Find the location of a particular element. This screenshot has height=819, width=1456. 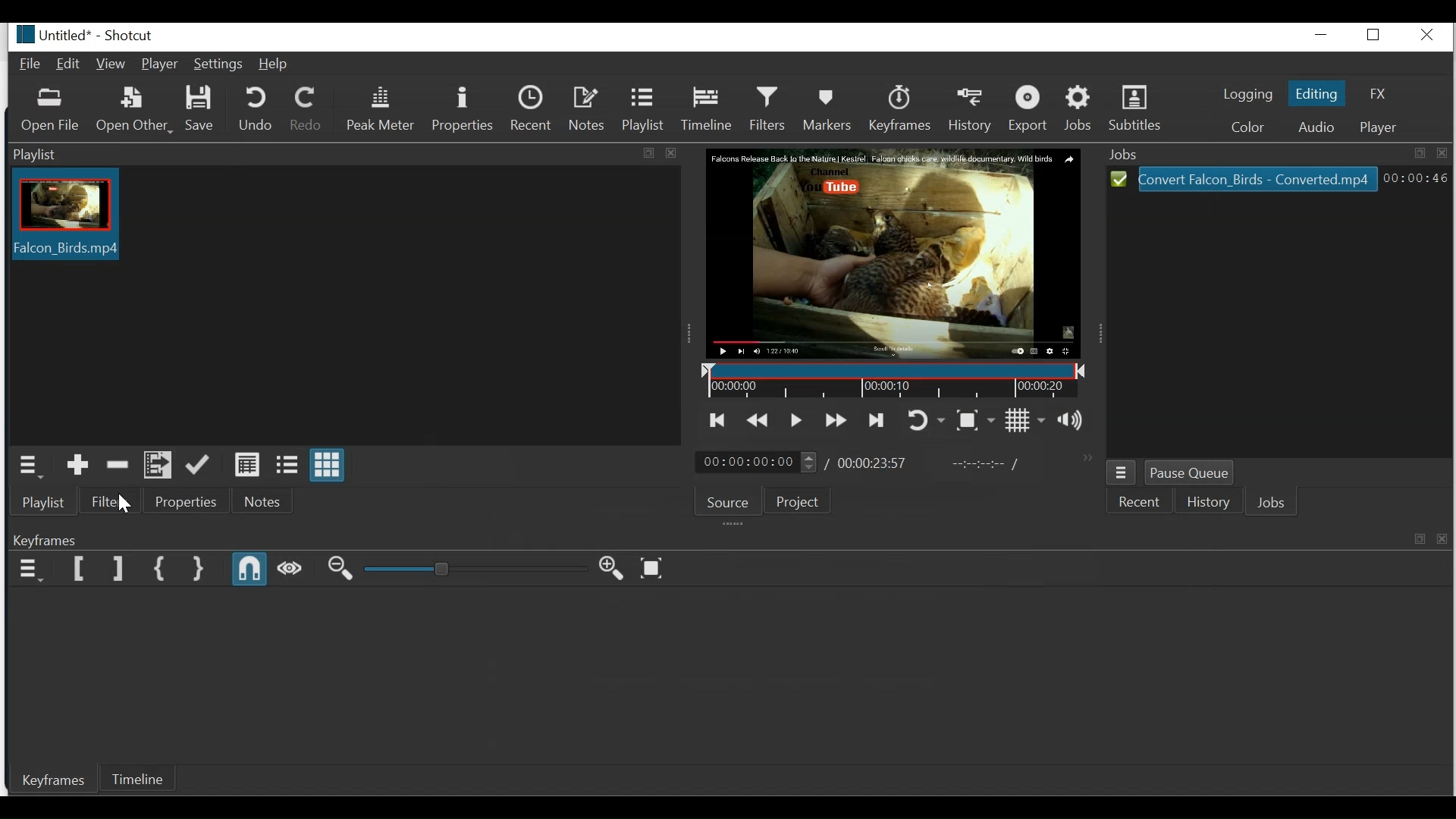

Markers is located at coordinates (829, 107).